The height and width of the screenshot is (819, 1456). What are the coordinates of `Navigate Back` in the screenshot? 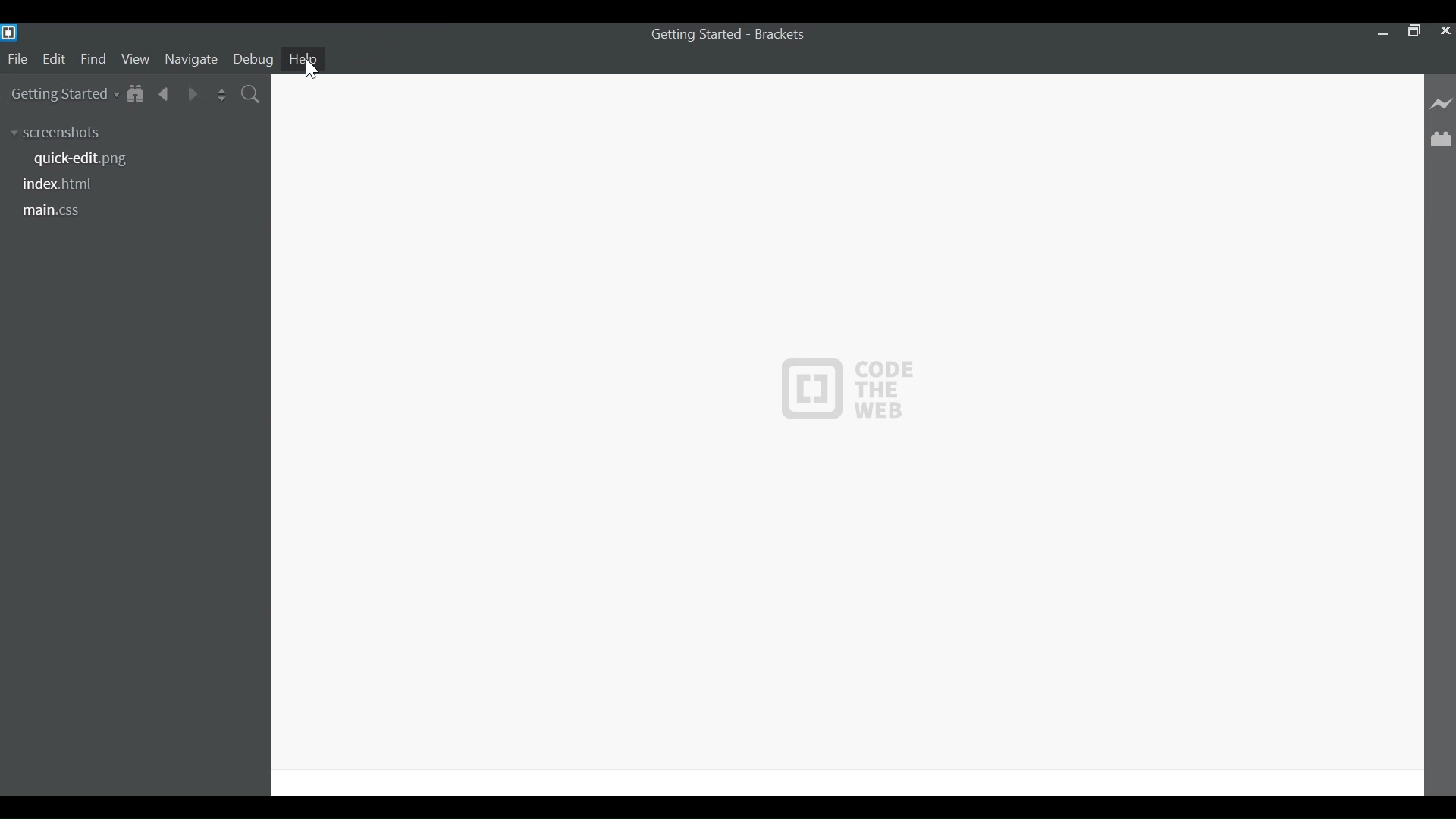 It's located at (165, 92).